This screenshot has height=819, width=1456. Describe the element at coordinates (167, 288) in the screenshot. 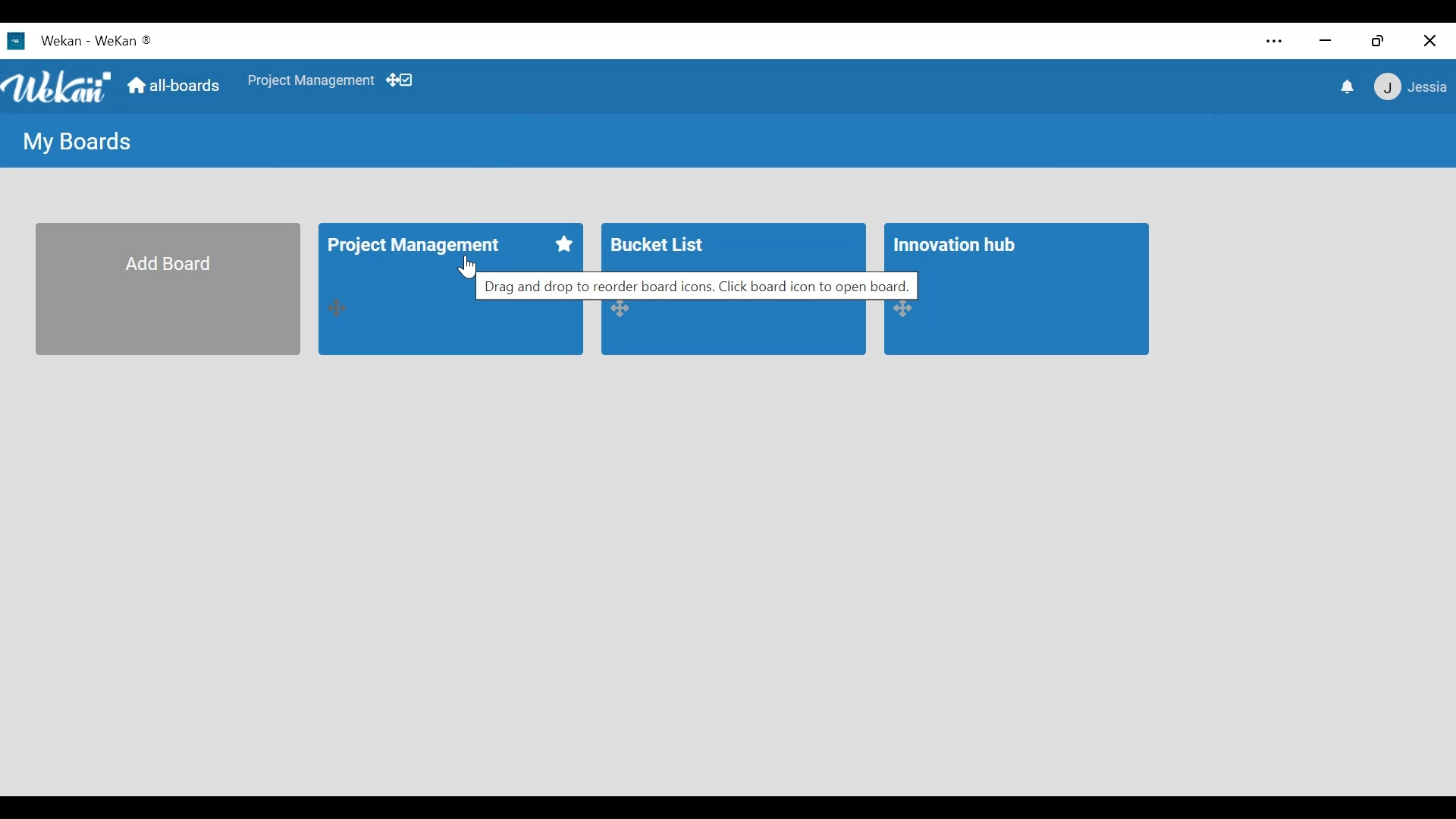

I see `Add Board` at that location.